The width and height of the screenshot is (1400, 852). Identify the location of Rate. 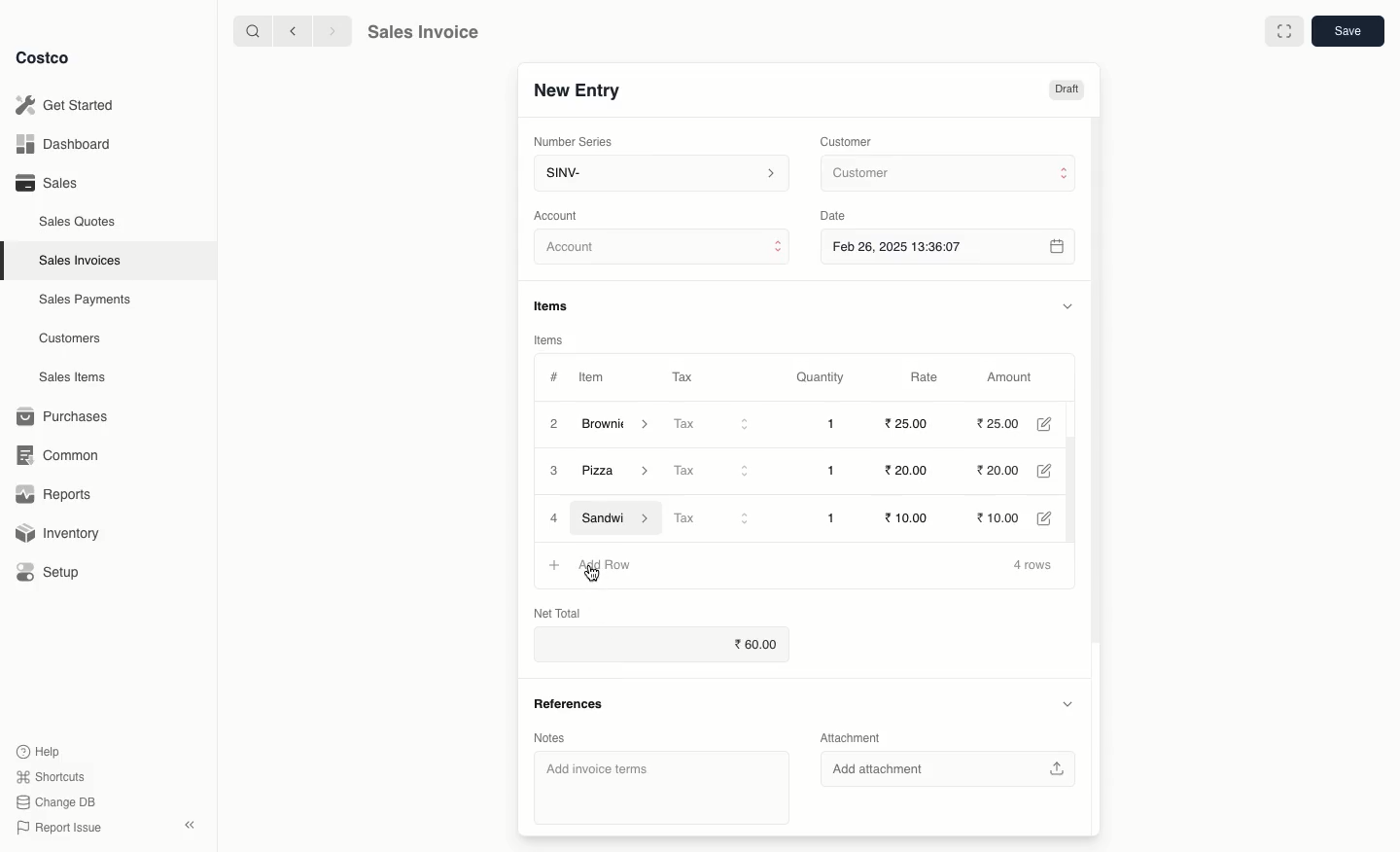
(927, 377).